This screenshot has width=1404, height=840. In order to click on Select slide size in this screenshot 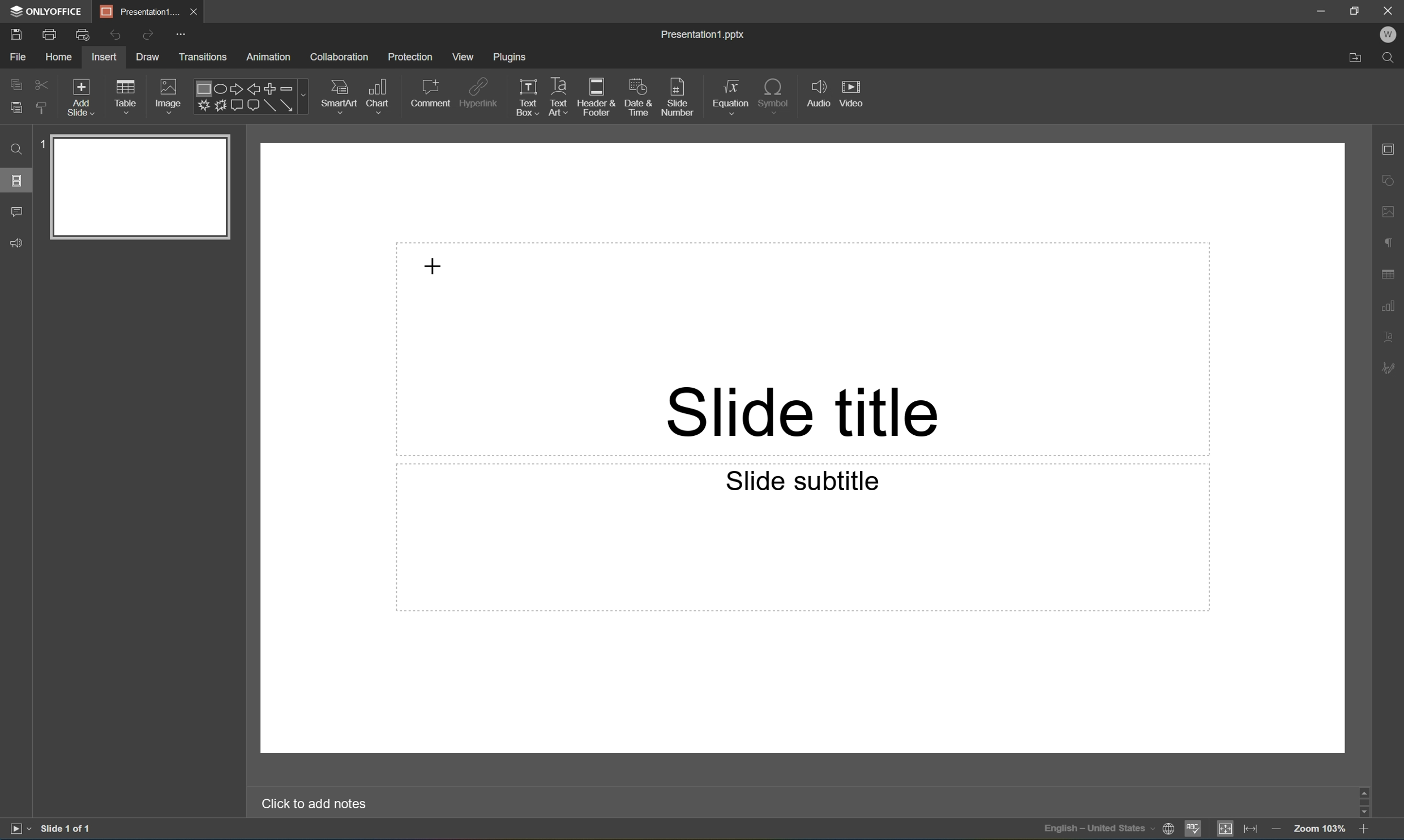, I will do `click(632, 108)`.